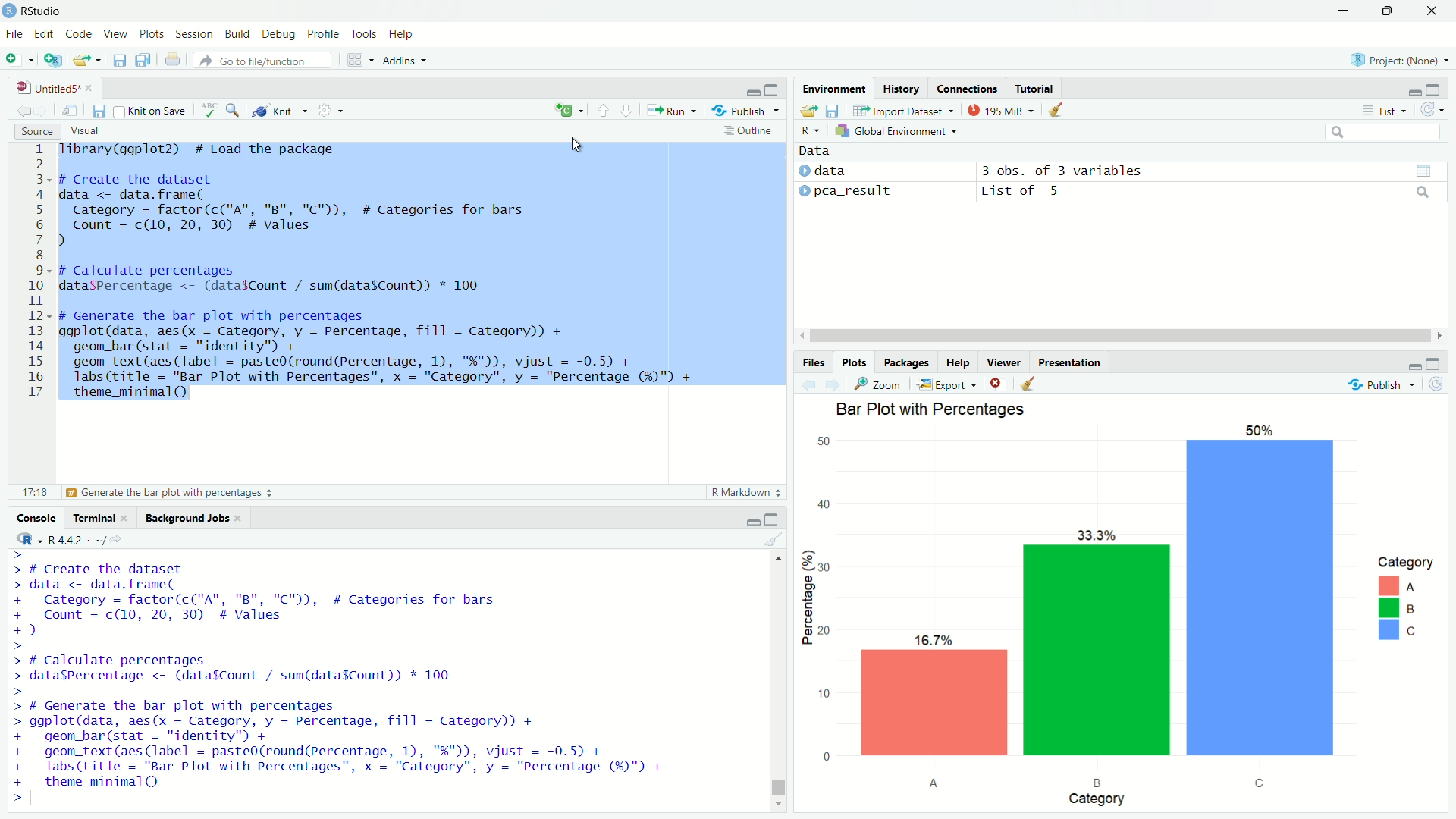 The height and width of the screenshot is (819, 1456). I want to click on export, so click(947, 383).